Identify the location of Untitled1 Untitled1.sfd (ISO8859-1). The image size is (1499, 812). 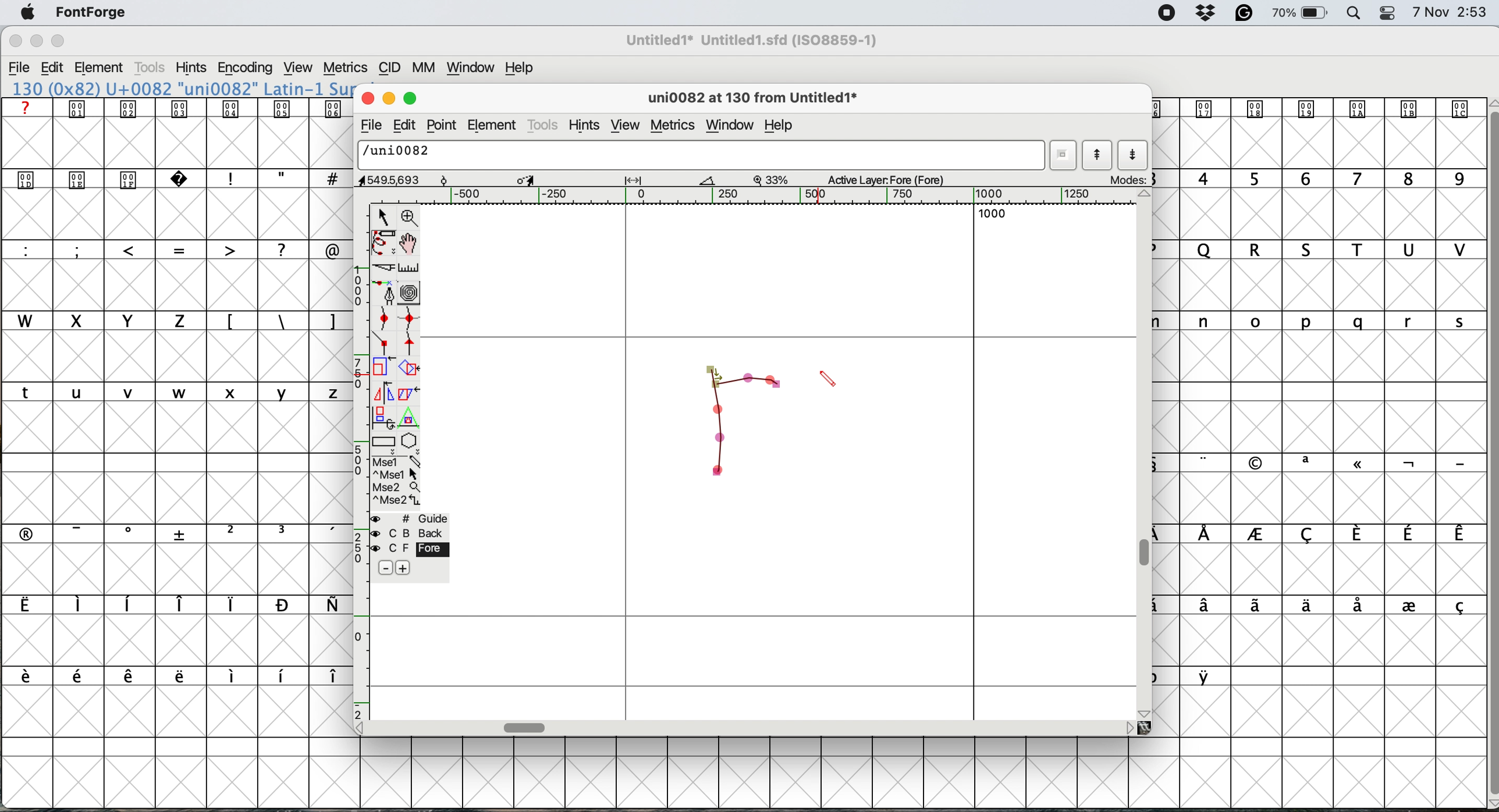
(755, 40).